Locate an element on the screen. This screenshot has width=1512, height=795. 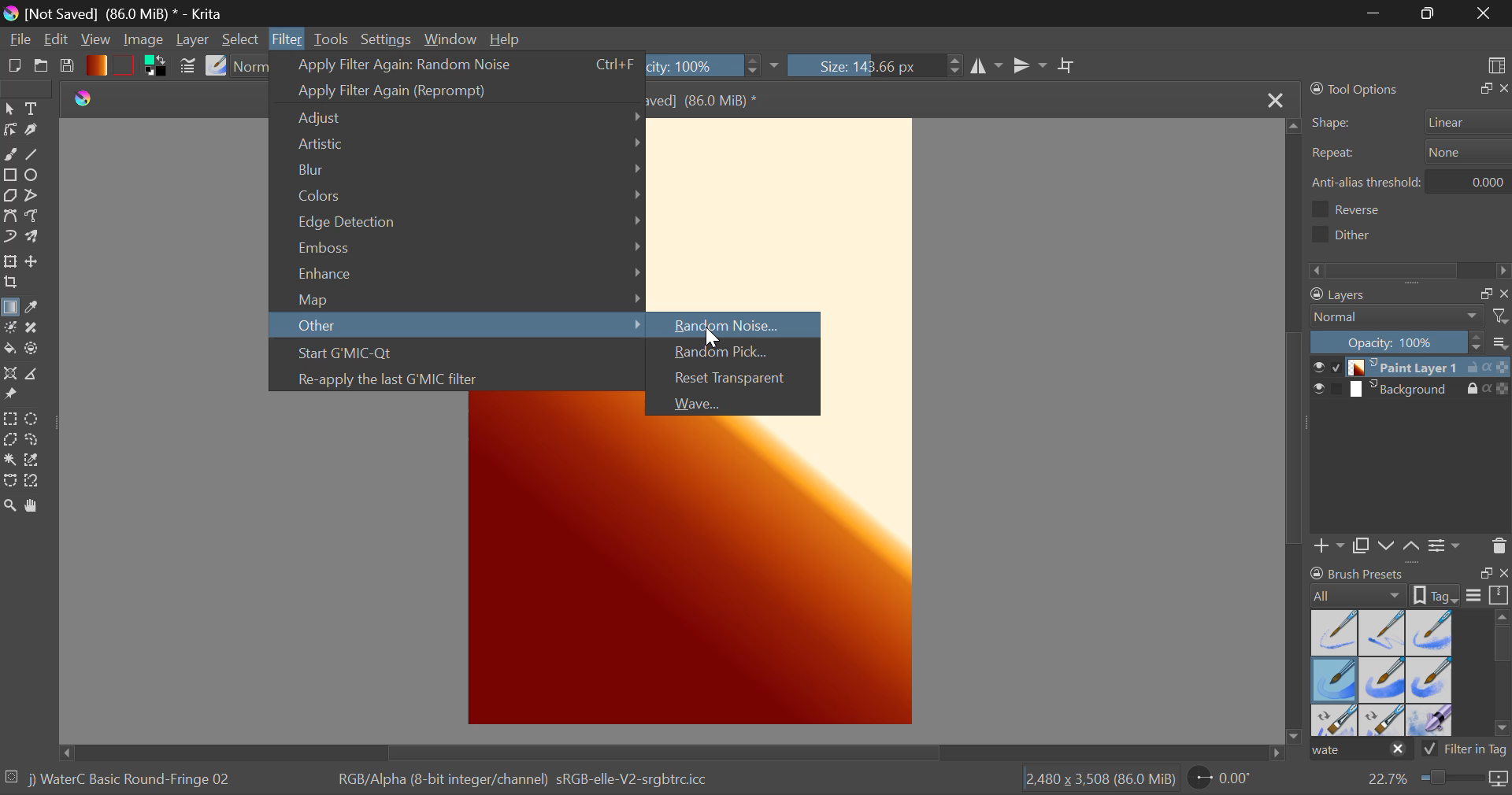
brush preset settings is located at coordinates (1360, 594).